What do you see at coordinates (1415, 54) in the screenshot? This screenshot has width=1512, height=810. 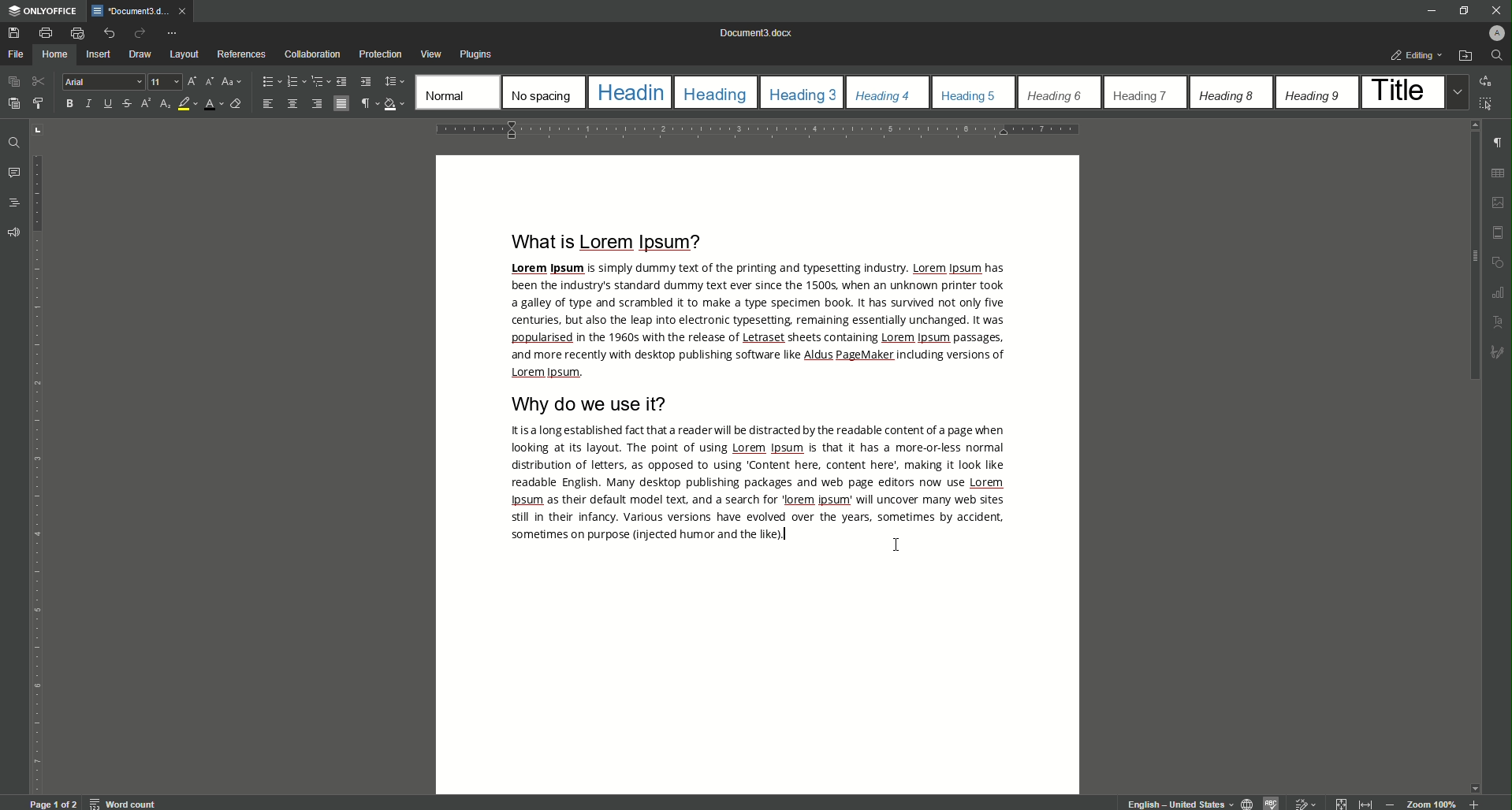 I see `Editing` at bounding box center [1415, 54].